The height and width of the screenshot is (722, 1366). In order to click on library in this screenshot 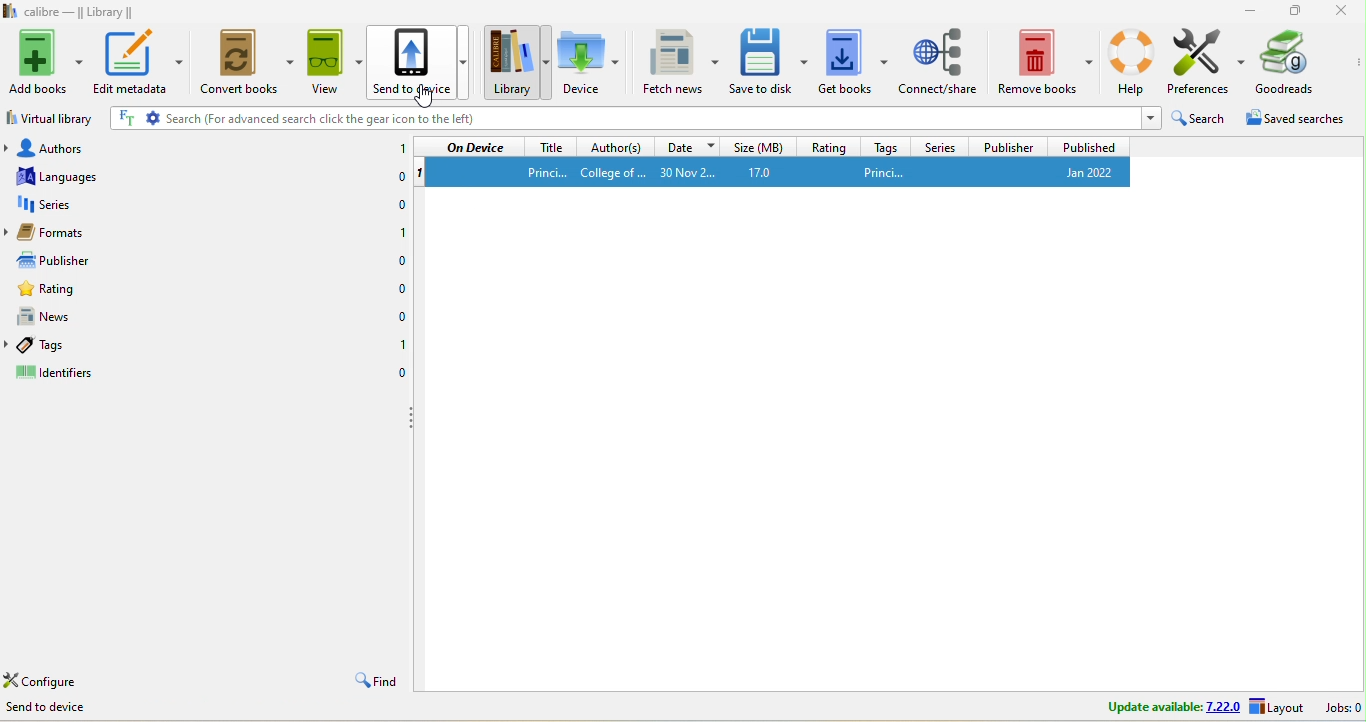, I will do `click(517, 64)`.